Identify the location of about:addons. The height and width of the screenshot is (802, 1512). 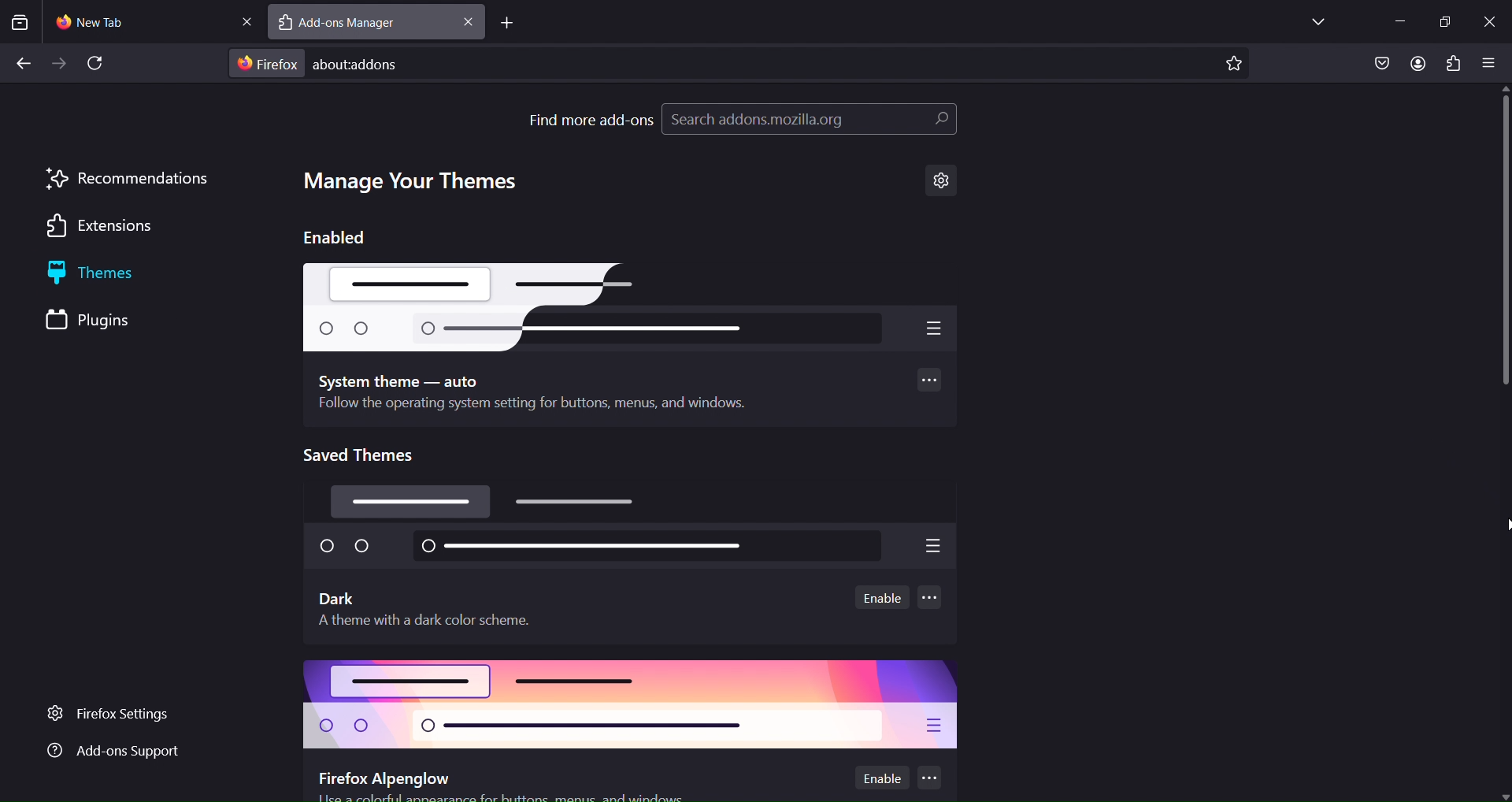
(382, 62).